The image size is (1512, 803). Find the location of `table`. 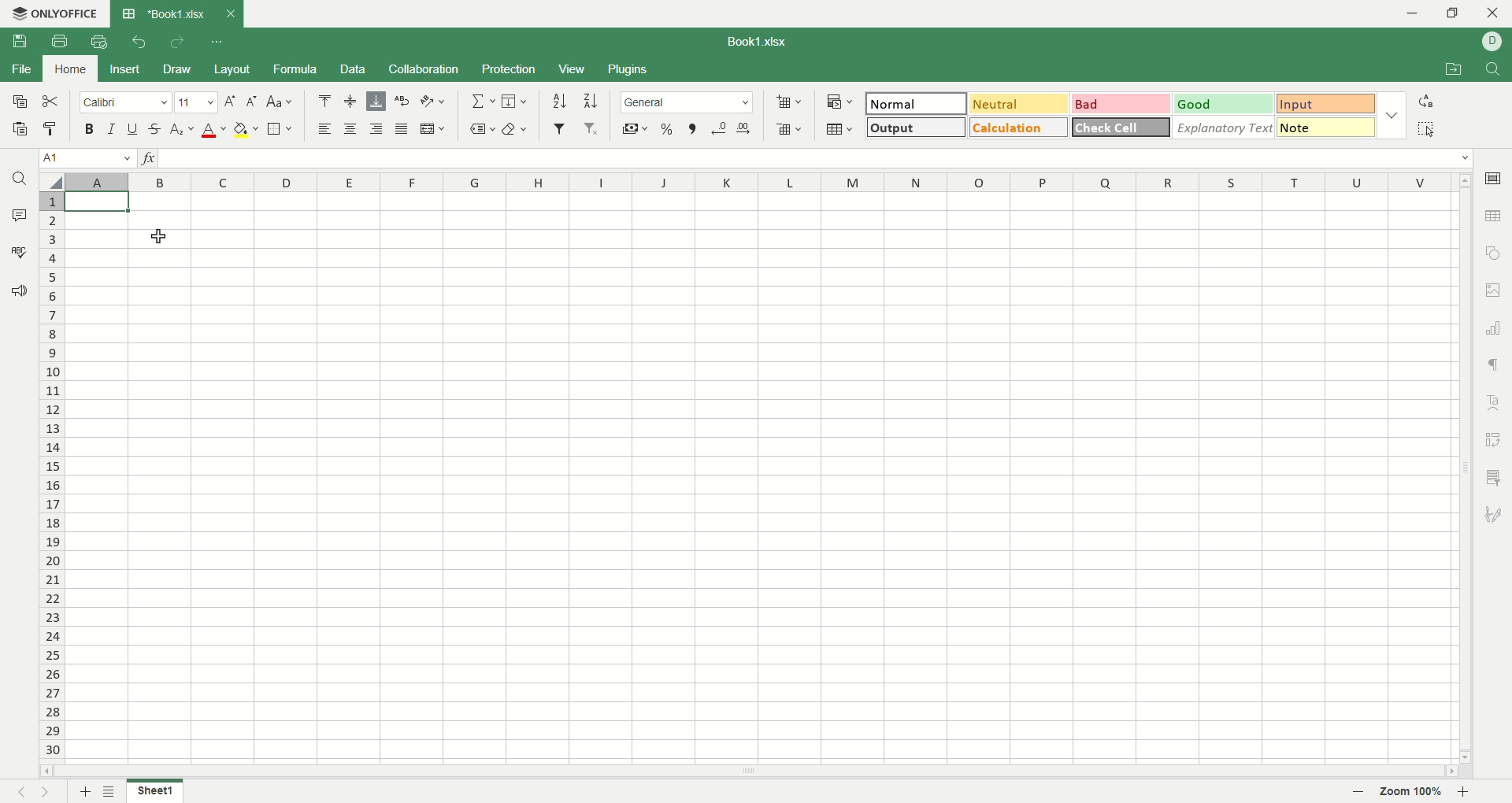

table is located at coordinates (1495, 214).